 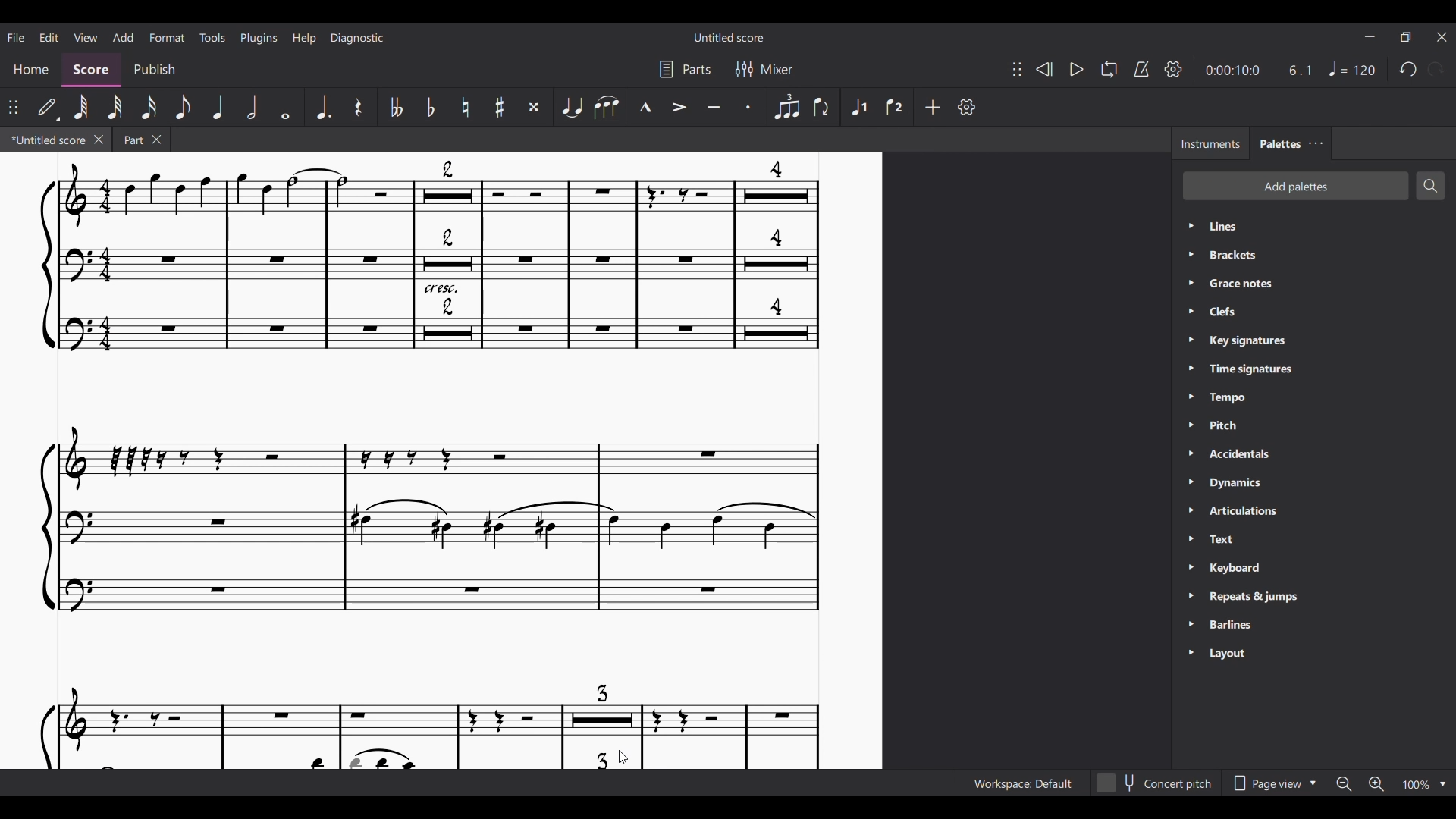 I want to click on Looping playback, so click(x=1109, y=69).